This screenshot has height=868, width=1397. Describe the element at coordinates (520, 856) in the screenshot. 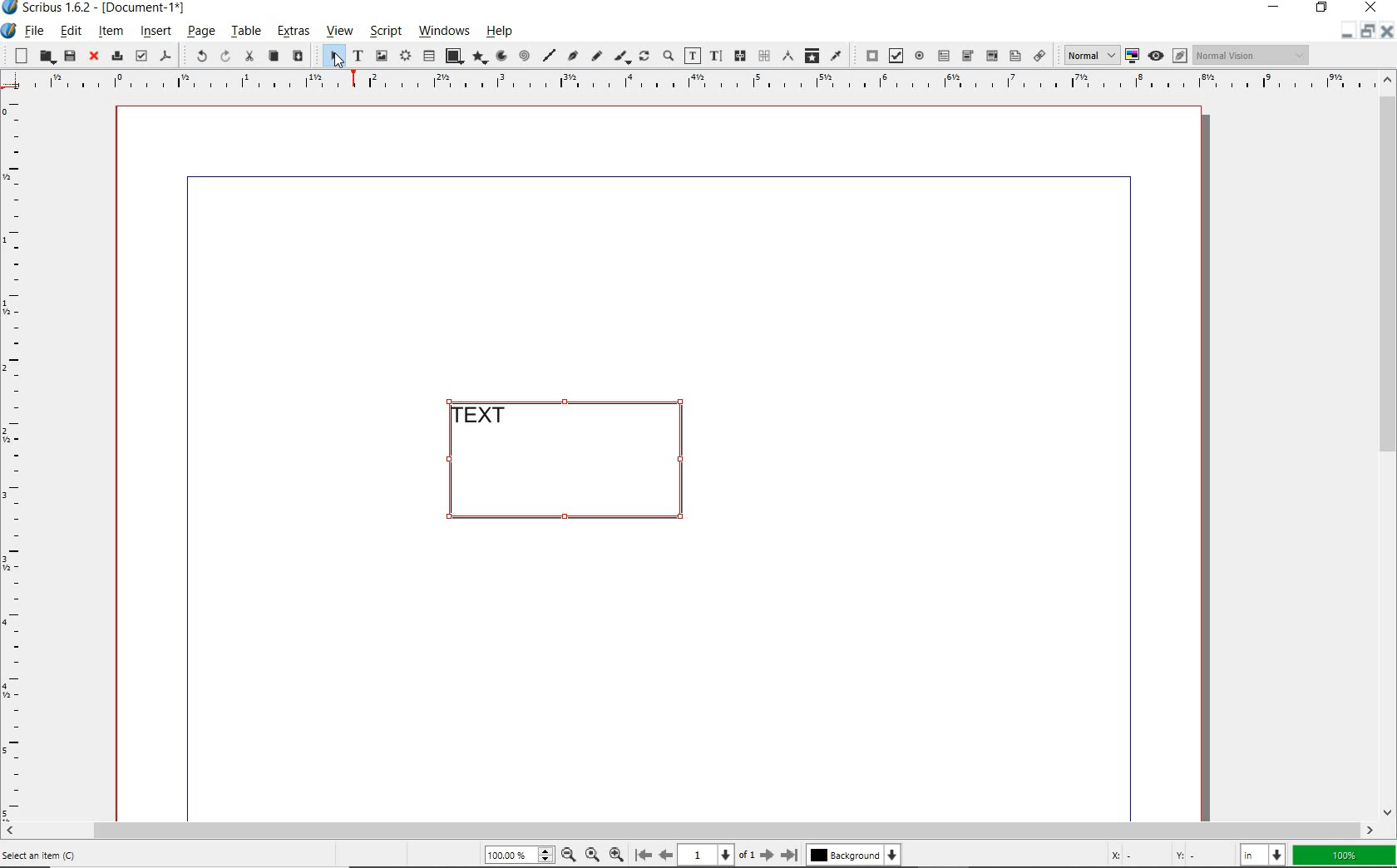

I see `Zoom 100.00%` at that location.